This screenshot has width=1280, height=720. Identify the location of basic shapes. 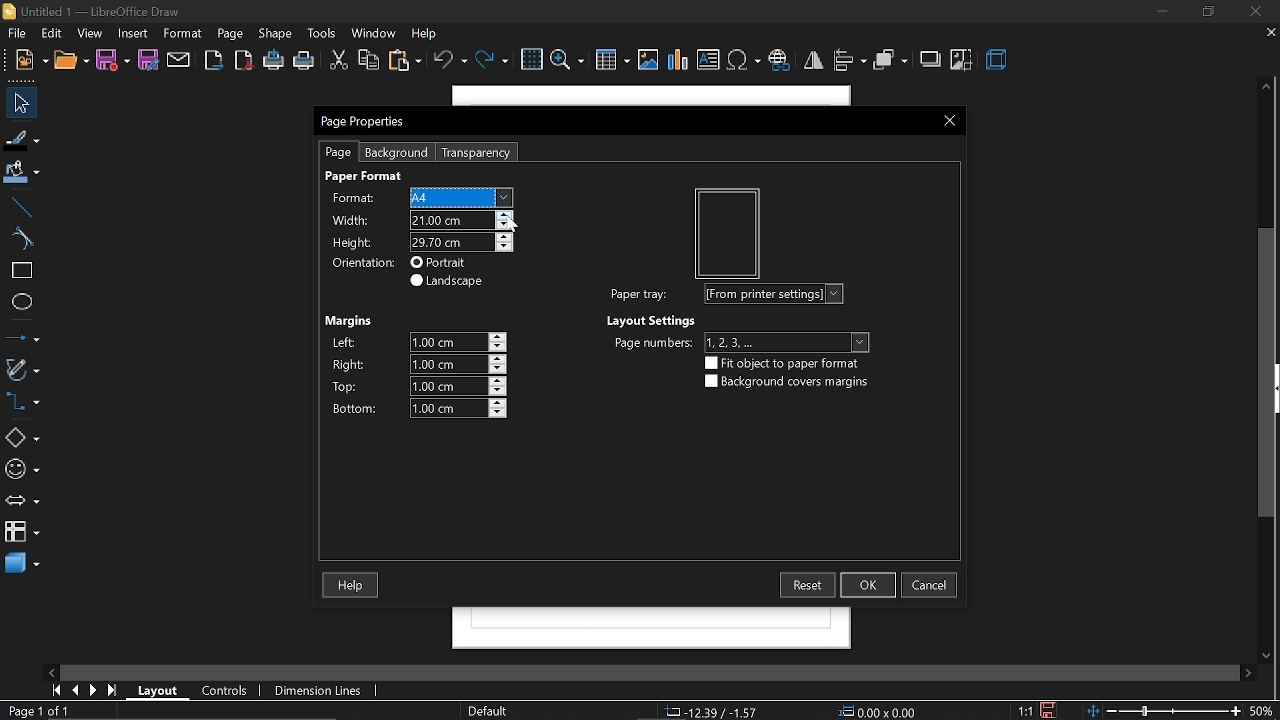
(22, 439).